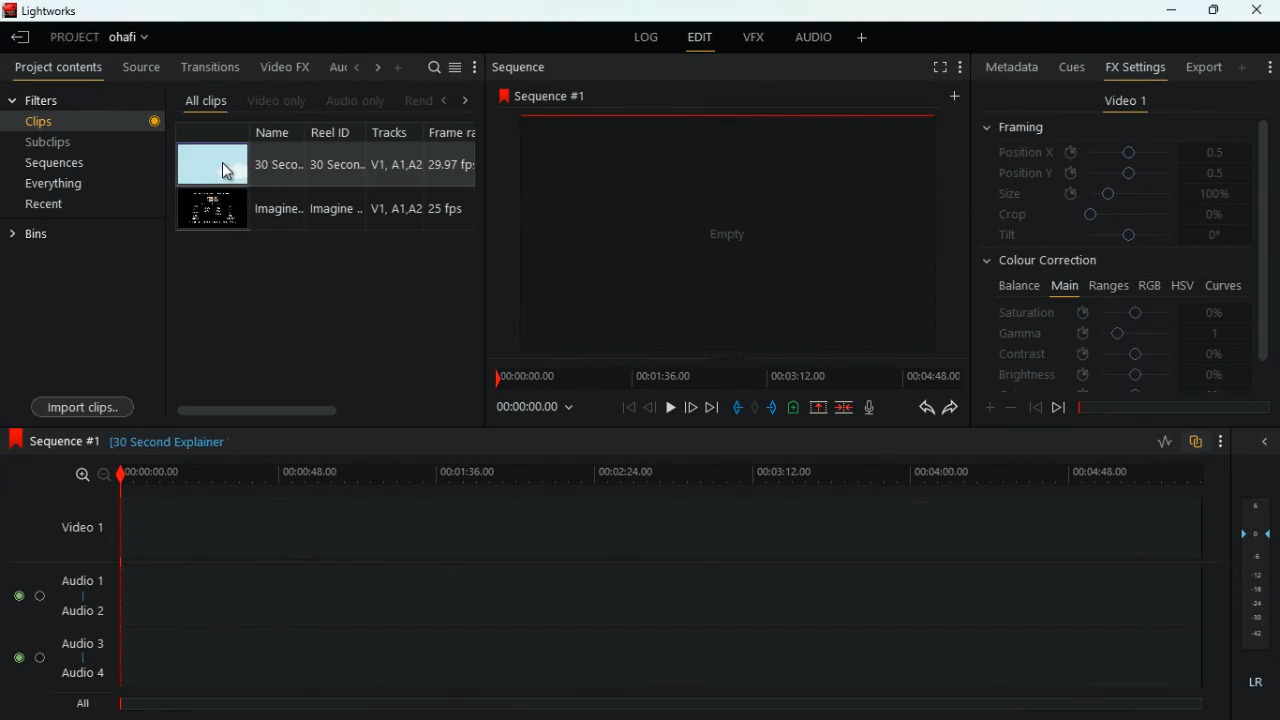 Image resolution: width=1280 pixels, height=720 pixels. What do you see at coordinates (622, 406) in the screenshot?
I see `beggining` at bounding box center [622, 406].